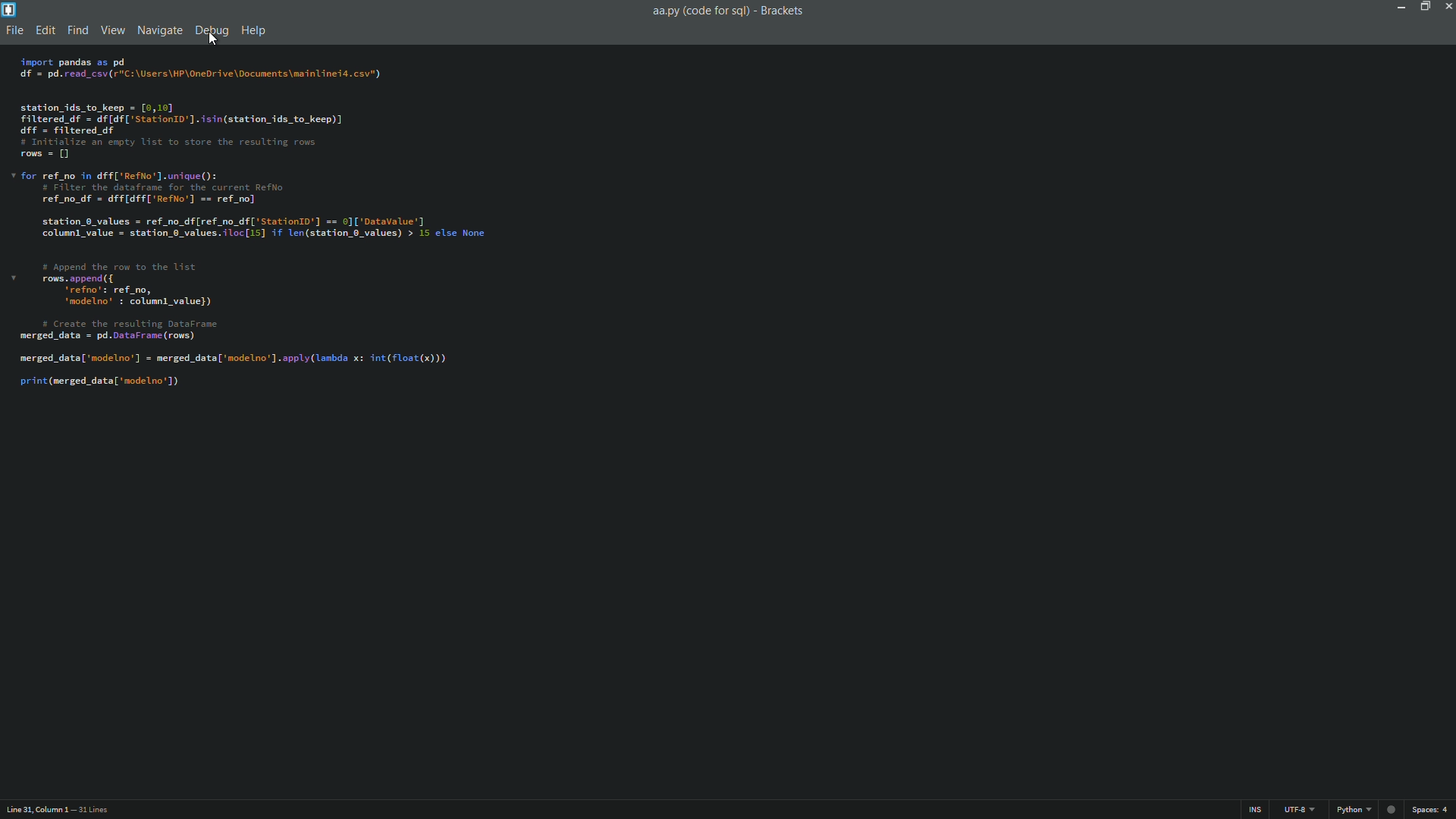  I want to click on circle, so click(1392, 809).